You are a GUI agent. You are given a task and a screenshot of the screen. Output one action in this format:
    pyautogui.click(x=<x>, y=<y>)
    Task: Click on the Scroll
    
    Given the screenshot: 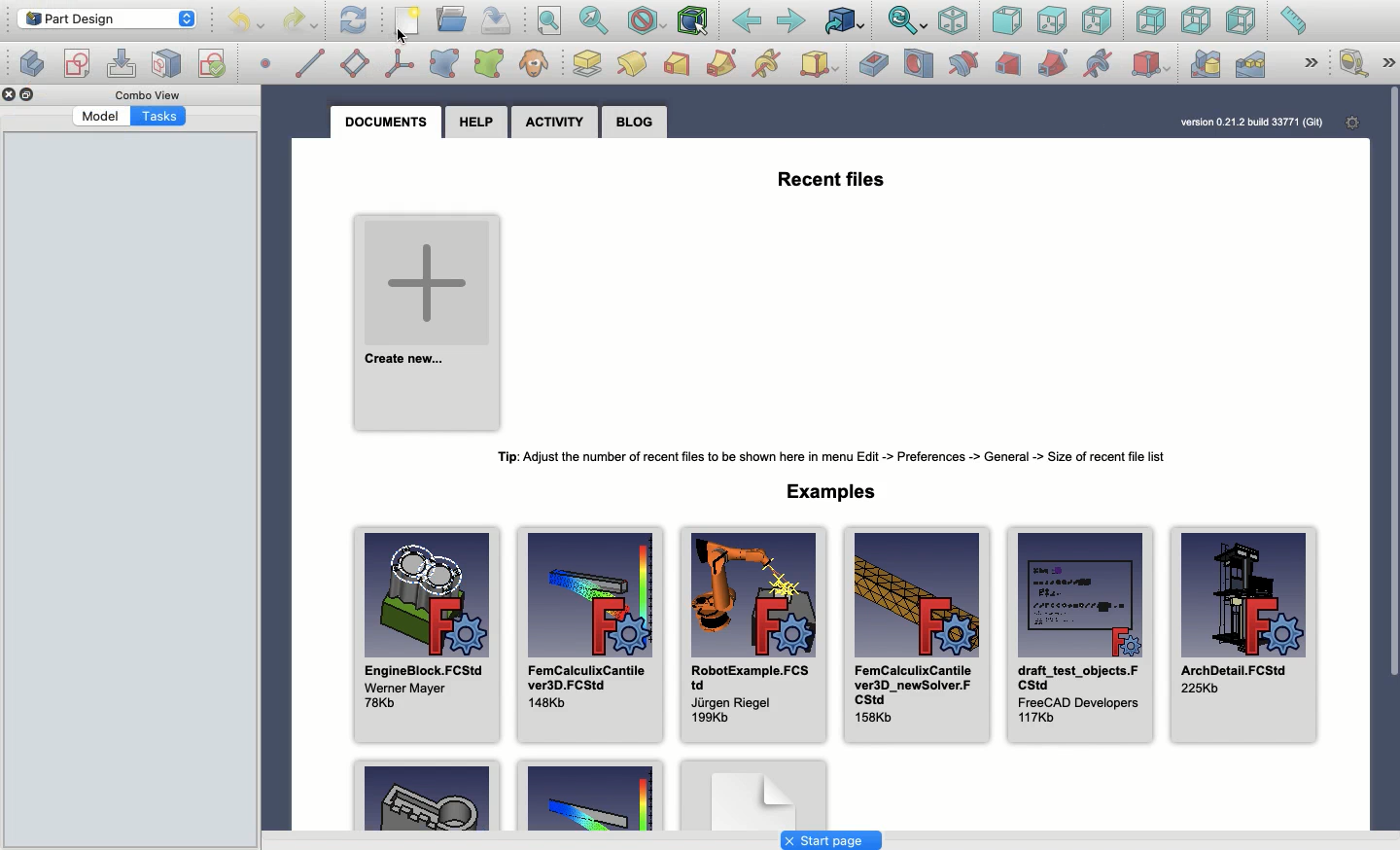 What is the action you would take?
    pyautogui.click(x=1391, y=437)
    